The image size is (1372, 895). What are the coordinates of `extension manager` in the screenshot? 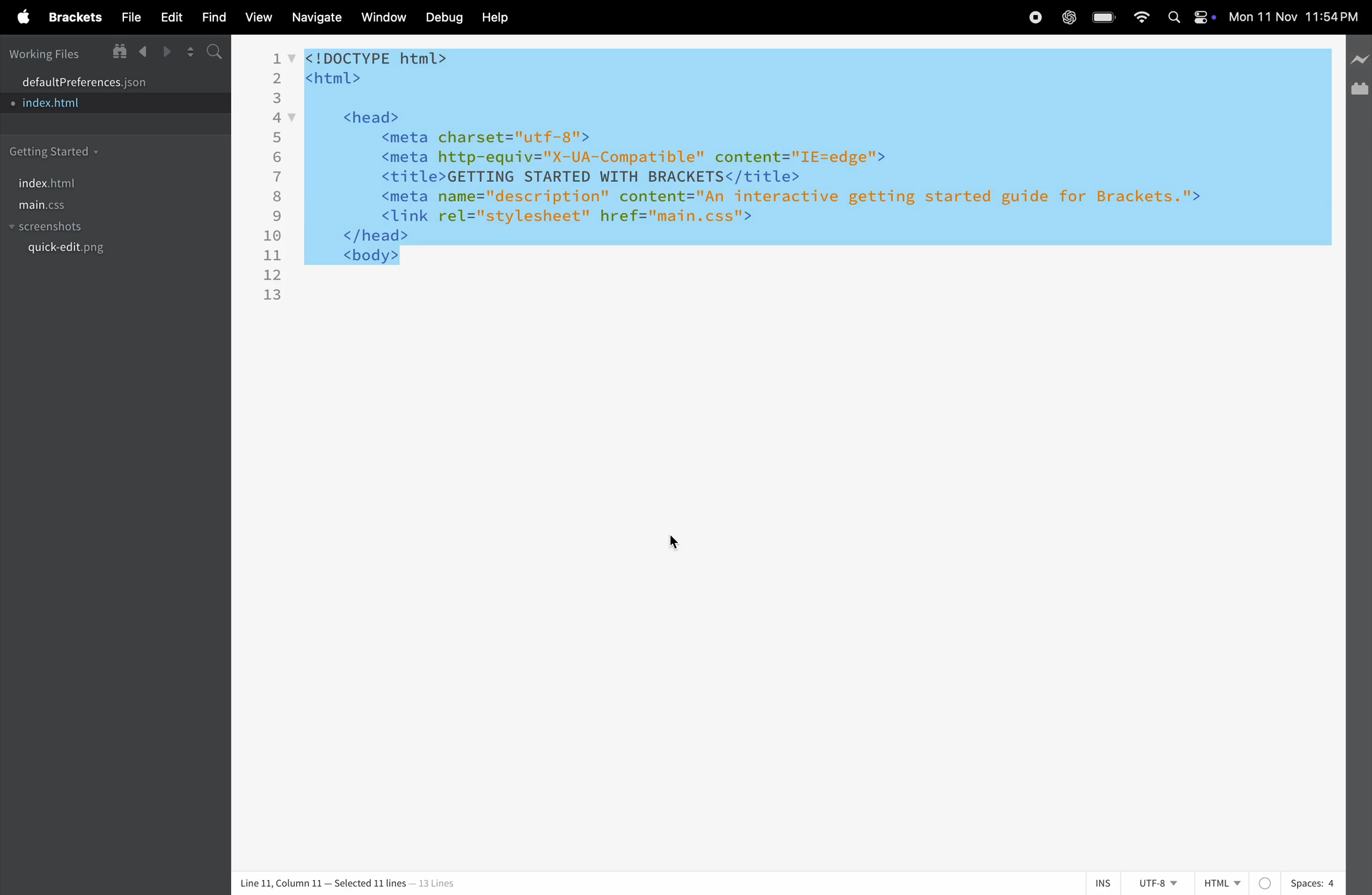 It's located at (1360, 88).